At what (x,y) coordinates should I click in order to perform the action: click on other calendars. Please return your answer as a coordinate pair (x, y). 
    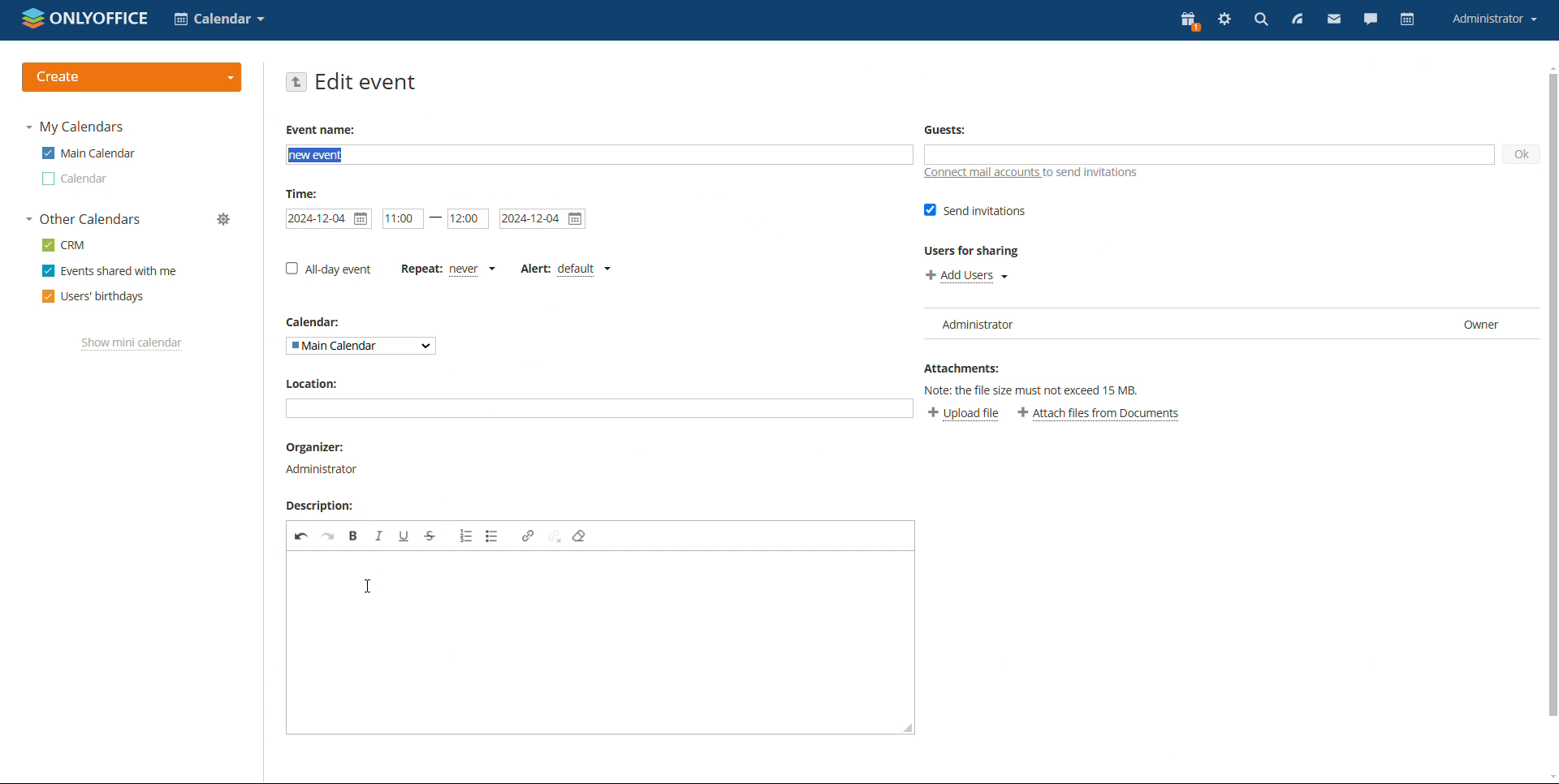
    Looking at the image, I should click on (84, 220).